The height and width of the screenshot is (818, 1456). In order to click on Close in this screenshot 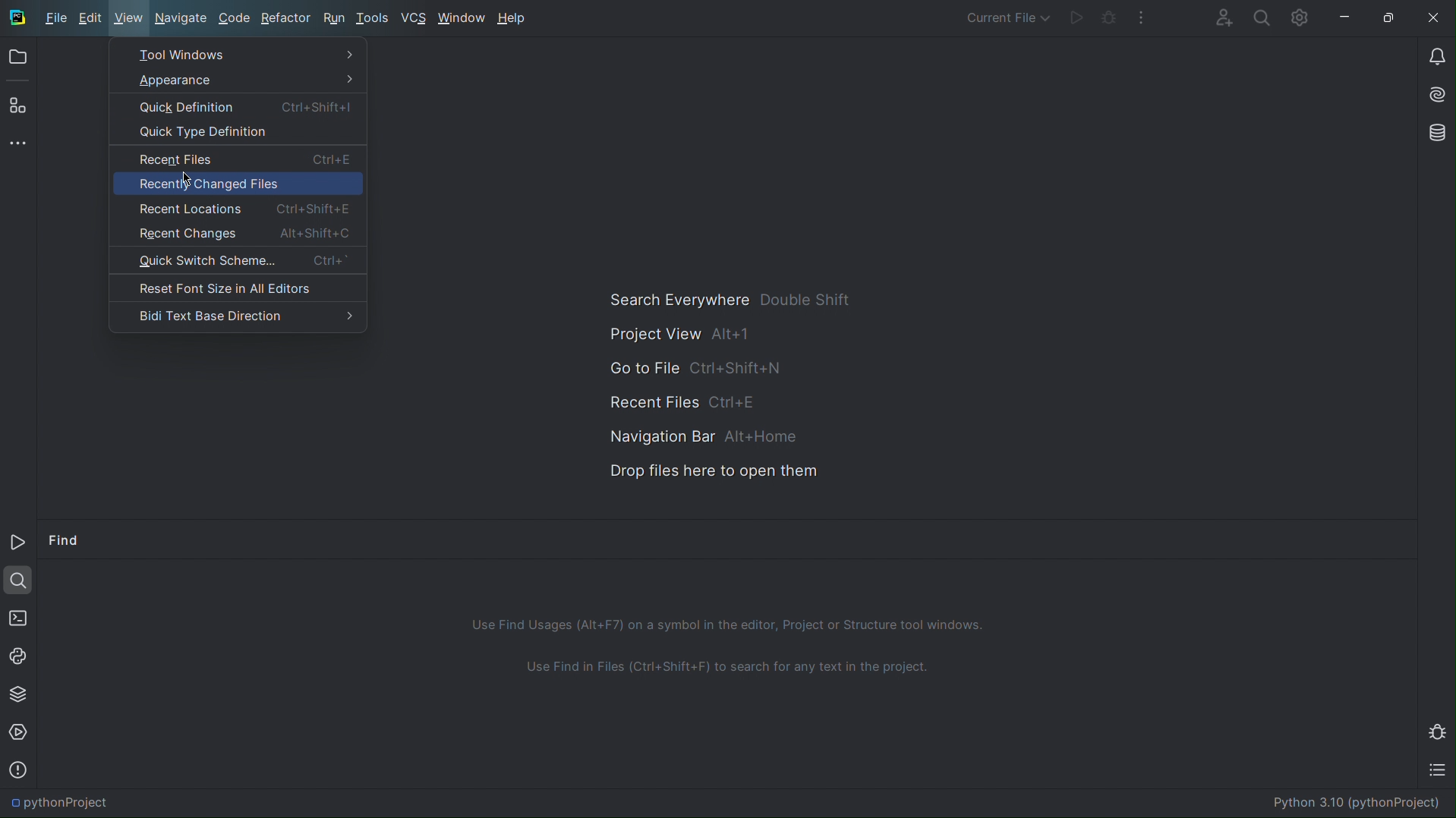, I will do `click(1434, 19)`.